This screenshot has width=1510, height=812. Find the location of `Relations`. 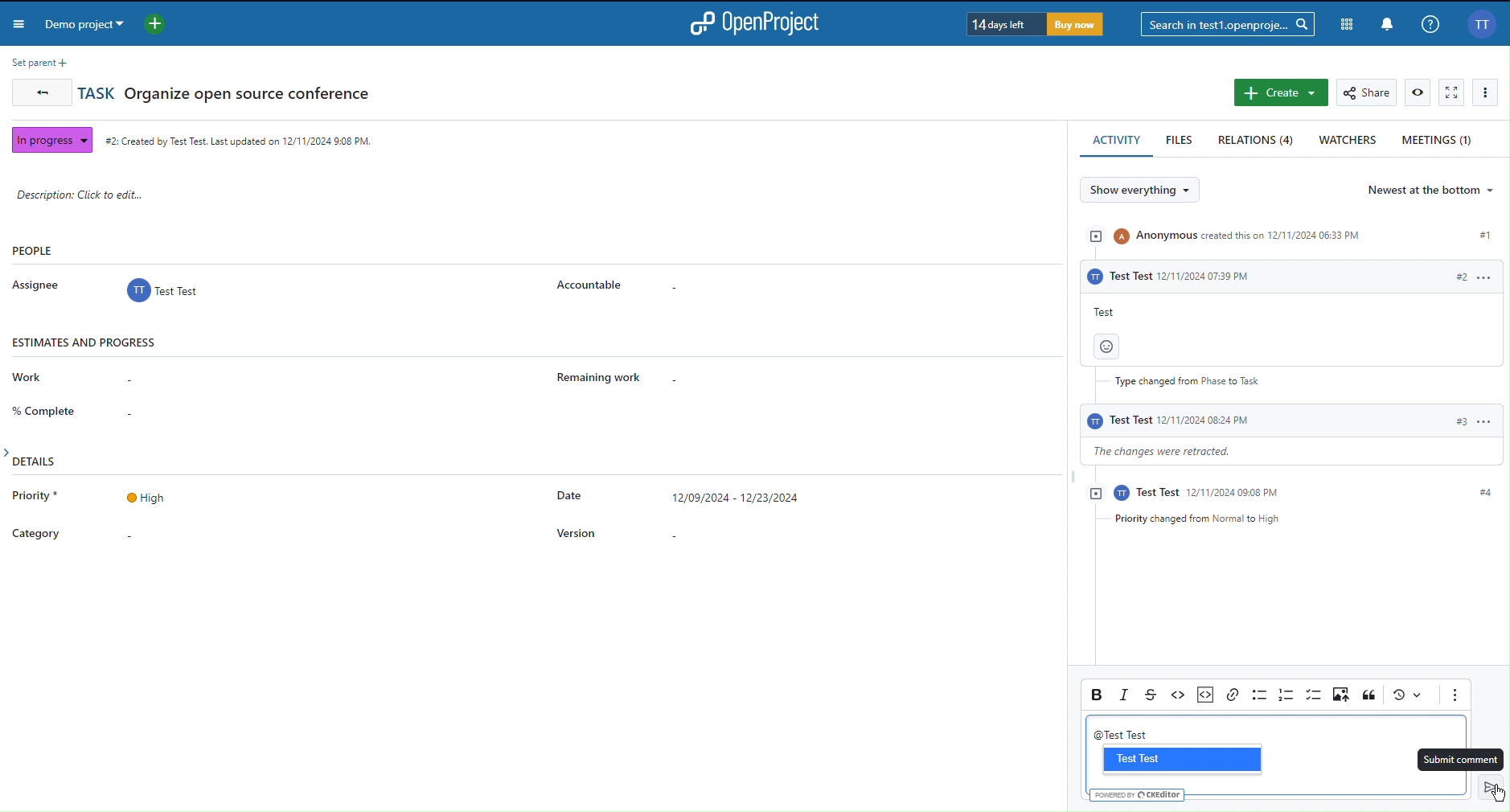

Relations is located at coordinates (1258, 141).